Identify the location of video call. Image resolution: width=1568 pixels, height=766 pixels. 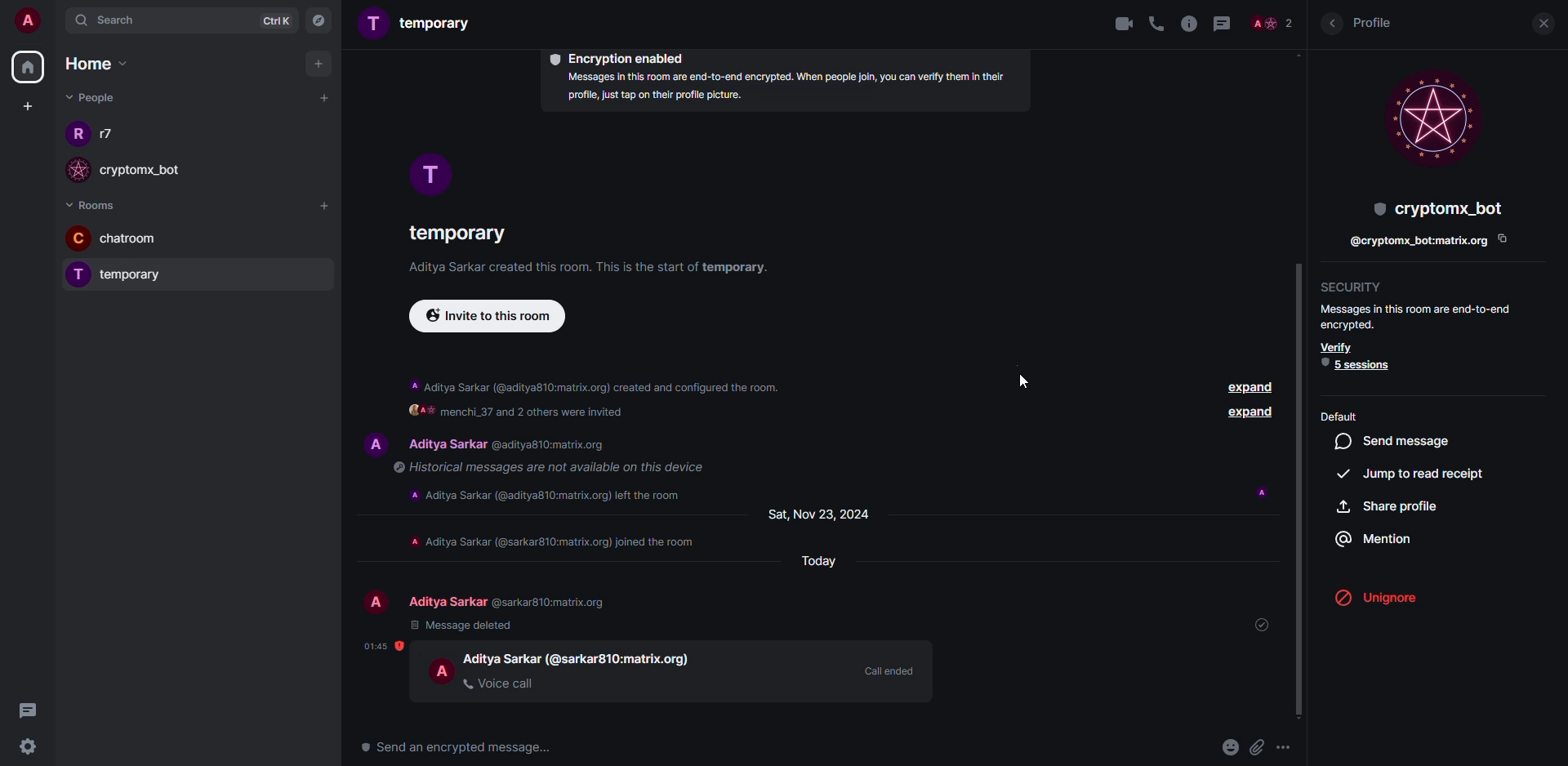
(1116, 23).